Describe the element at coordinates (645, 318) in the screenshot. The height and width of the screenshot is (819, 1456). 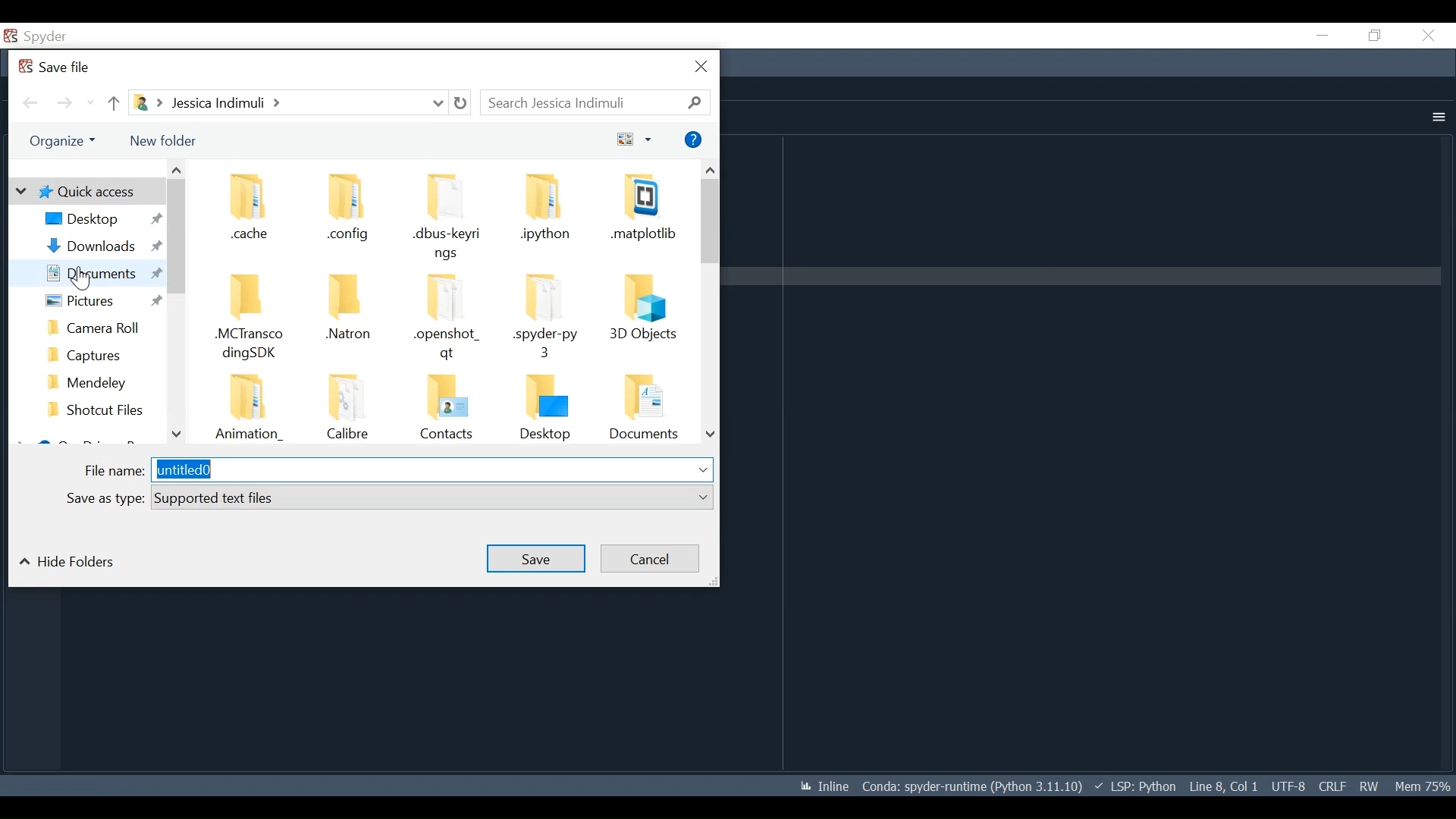
I see `Folder` at that location.